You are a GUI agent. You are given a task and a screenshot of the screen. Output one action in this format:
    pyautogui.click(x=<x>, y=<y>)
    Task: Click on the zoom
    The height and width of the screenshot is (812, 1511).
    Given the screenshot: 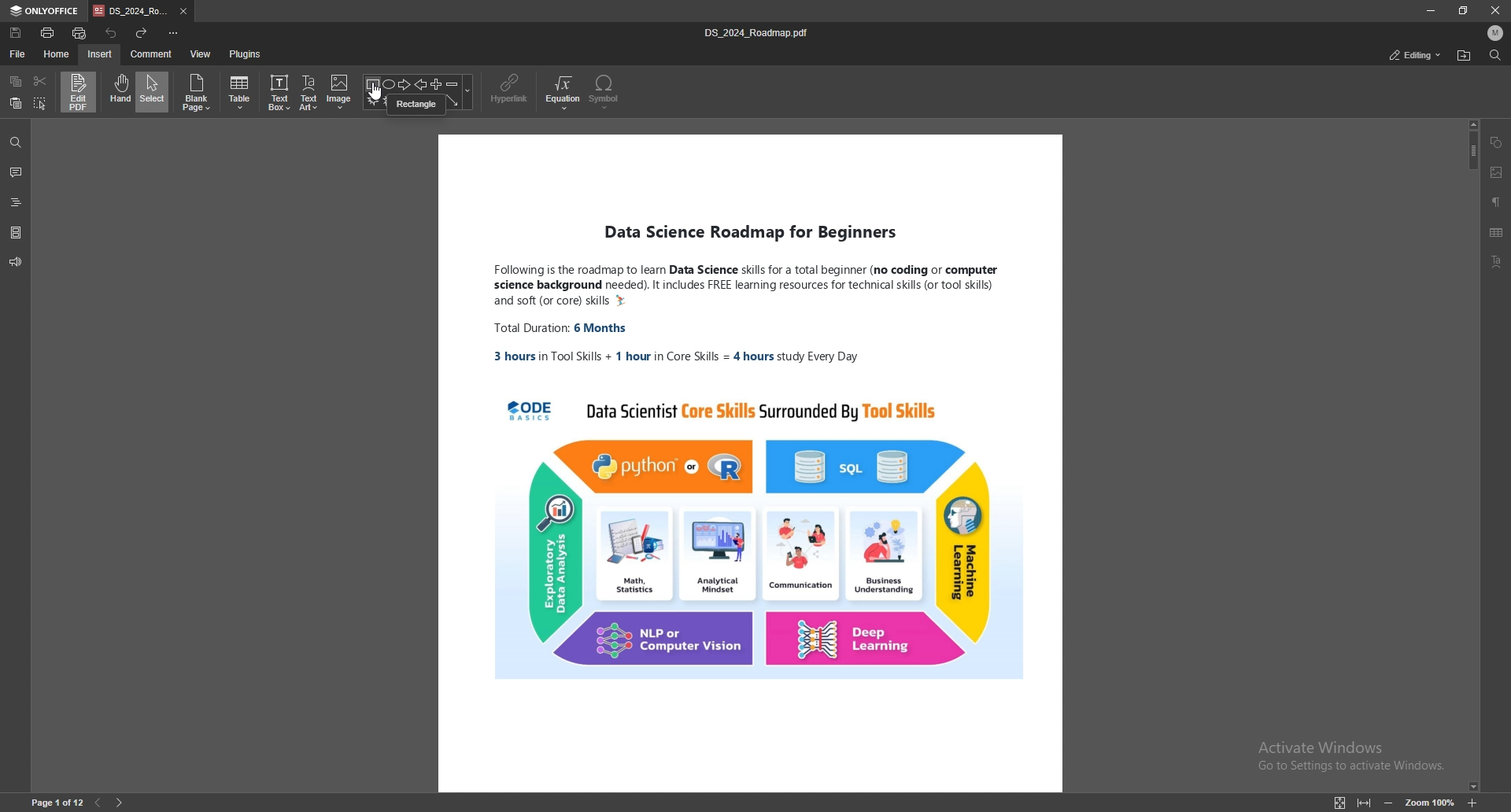 What is the action you would take?
    pyautogui.click(x=1429, y=802)
    